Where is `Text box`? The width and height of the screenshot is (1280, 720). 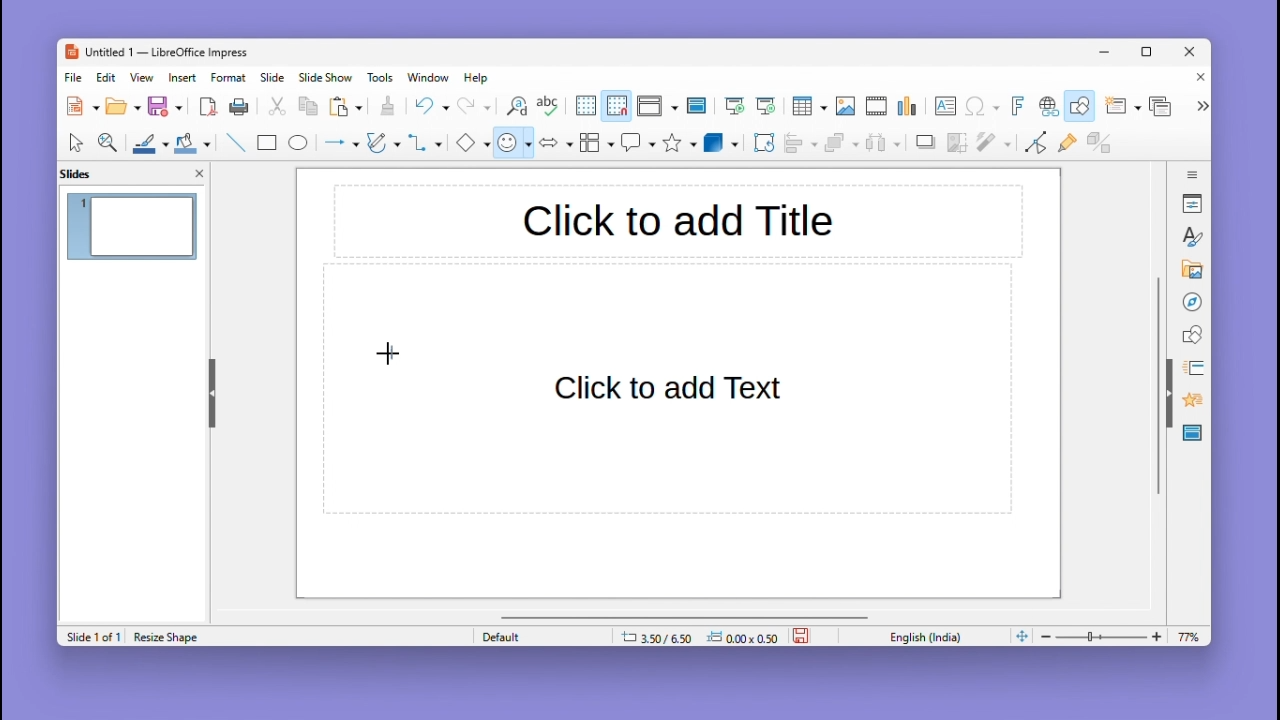 Text box is located at coordinates (945, 106).